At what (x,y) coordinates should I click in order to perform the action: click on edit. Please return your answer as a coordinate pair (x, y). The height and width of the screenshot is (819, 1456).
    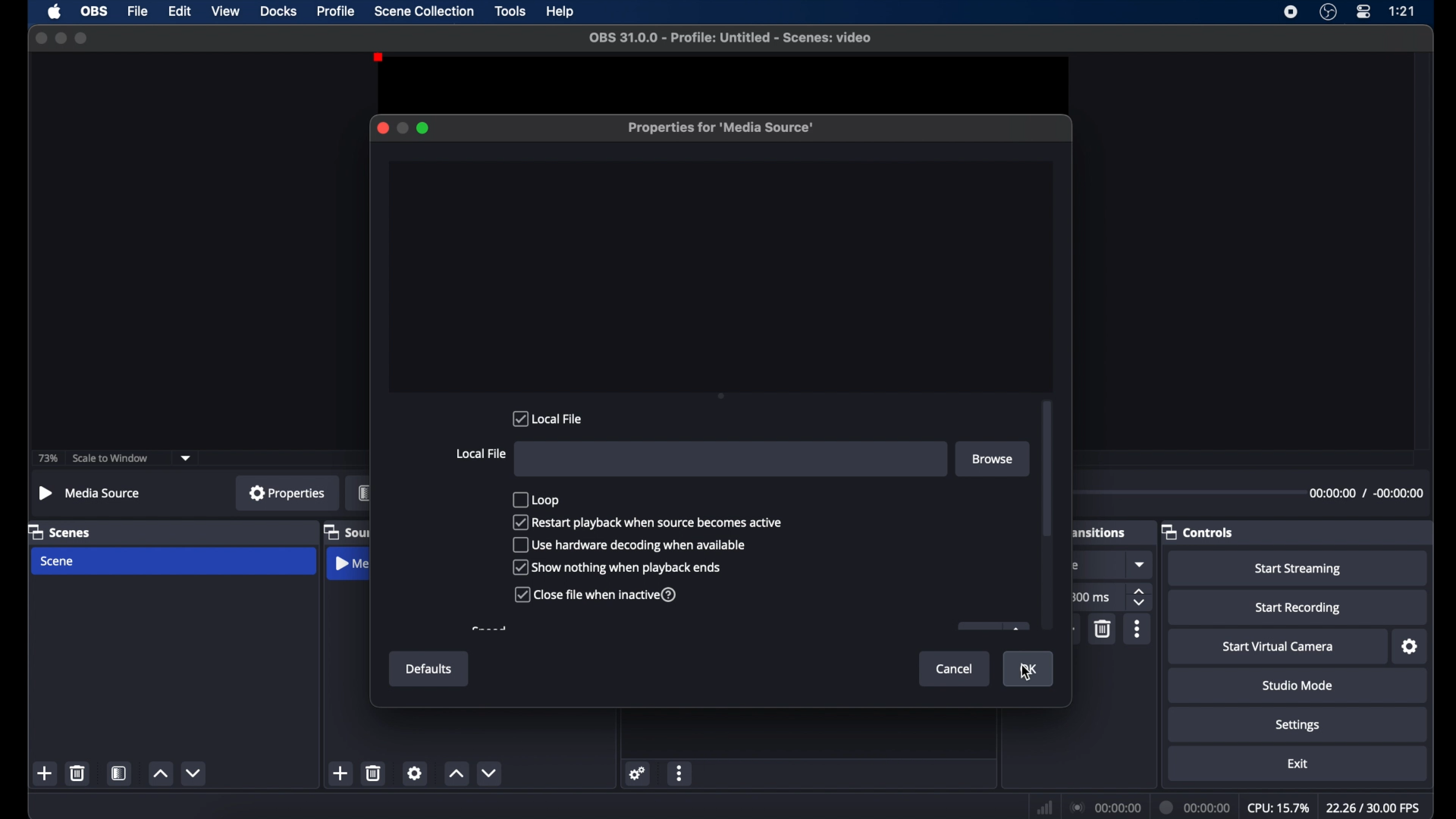
    Looking at the image, I should click on (179, 11).